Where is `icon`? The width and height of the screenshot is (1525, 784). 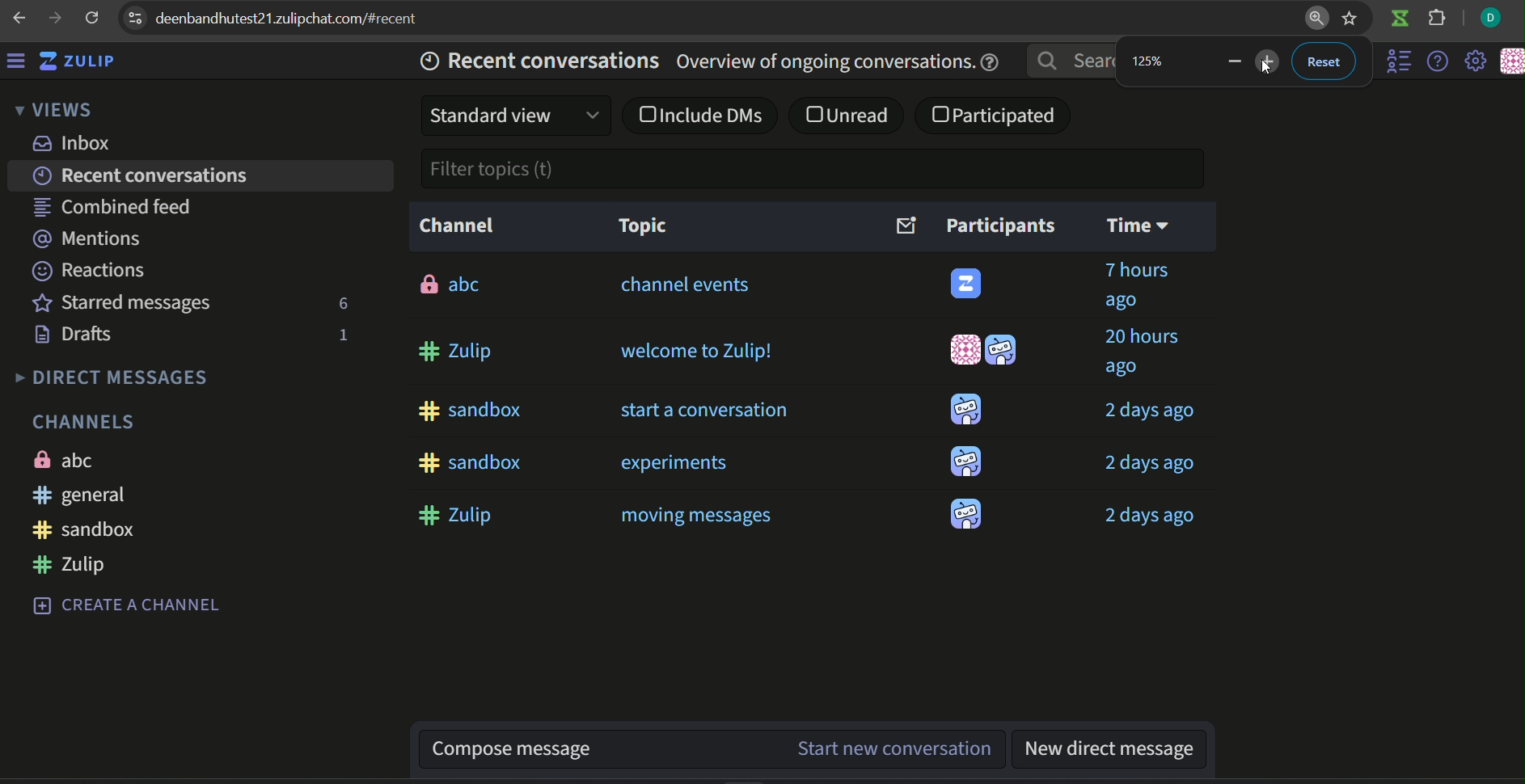 icon is located at coordinates (966, 462).